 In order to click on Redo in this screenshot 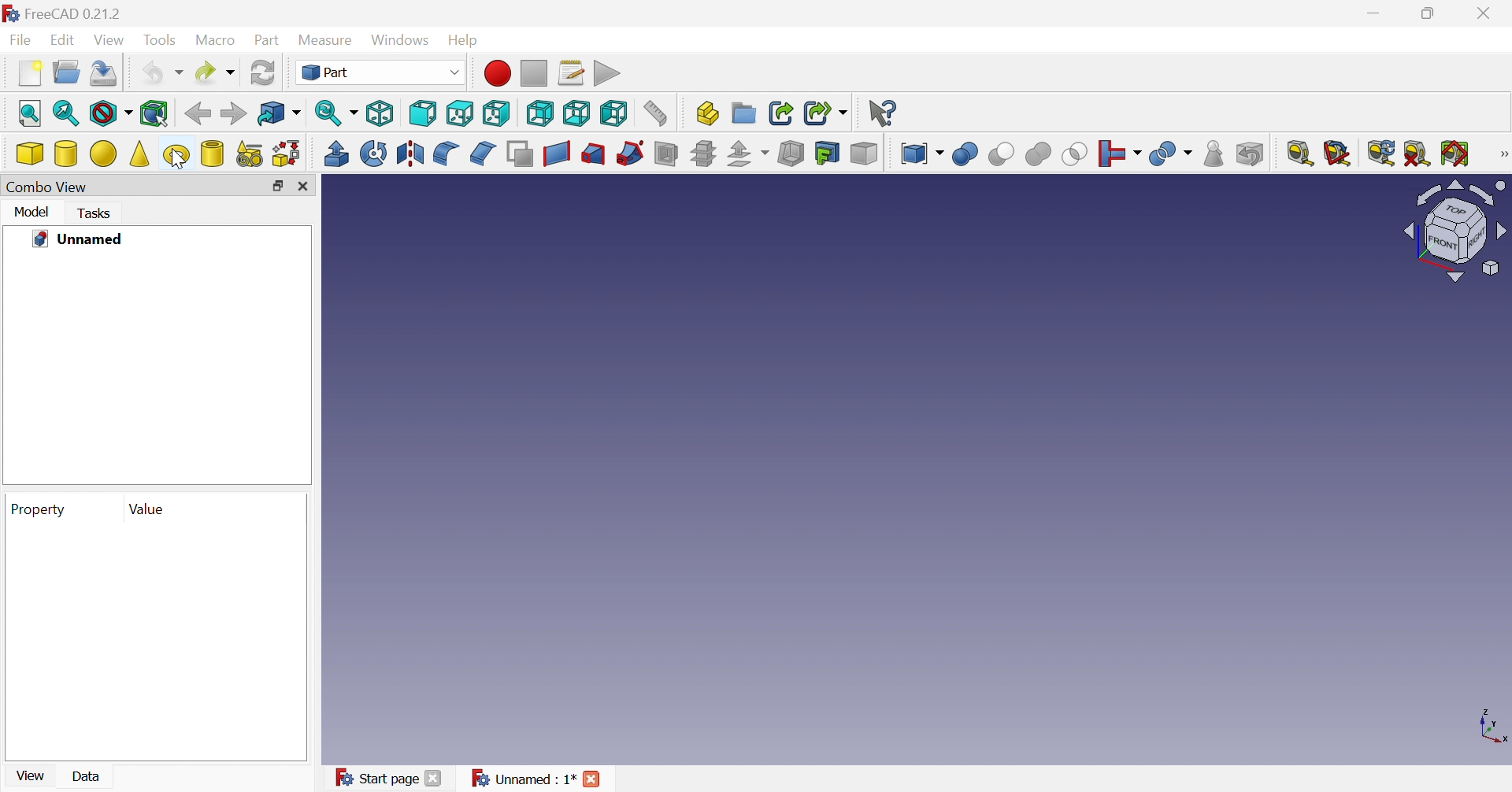, I will do `click(216, 71)`.